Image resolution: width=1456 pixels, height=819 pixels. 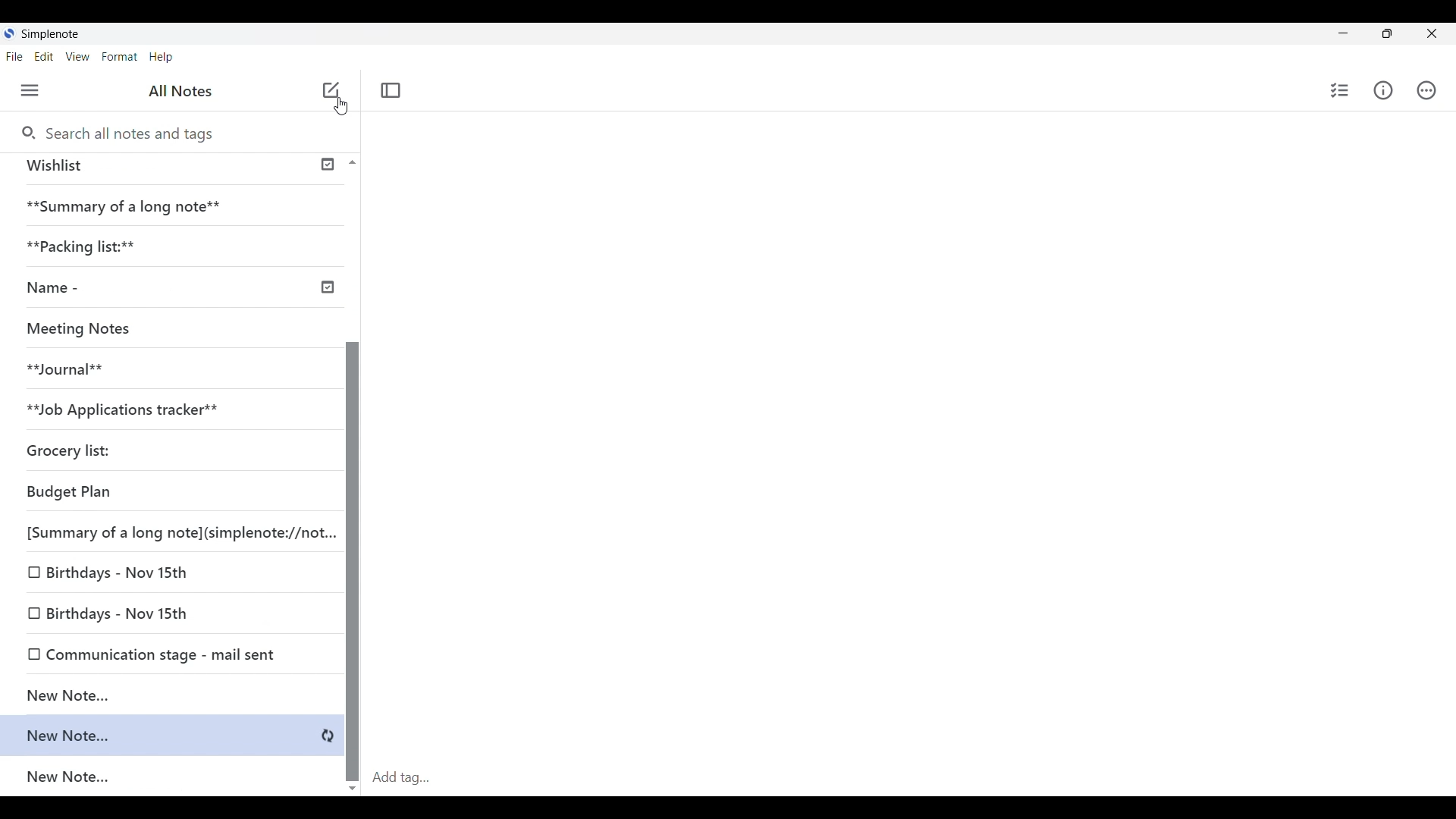 What do you see at coordinates (1433, 90) in the screenshot?
I see `Actions` at bounding box center [1433, 90].